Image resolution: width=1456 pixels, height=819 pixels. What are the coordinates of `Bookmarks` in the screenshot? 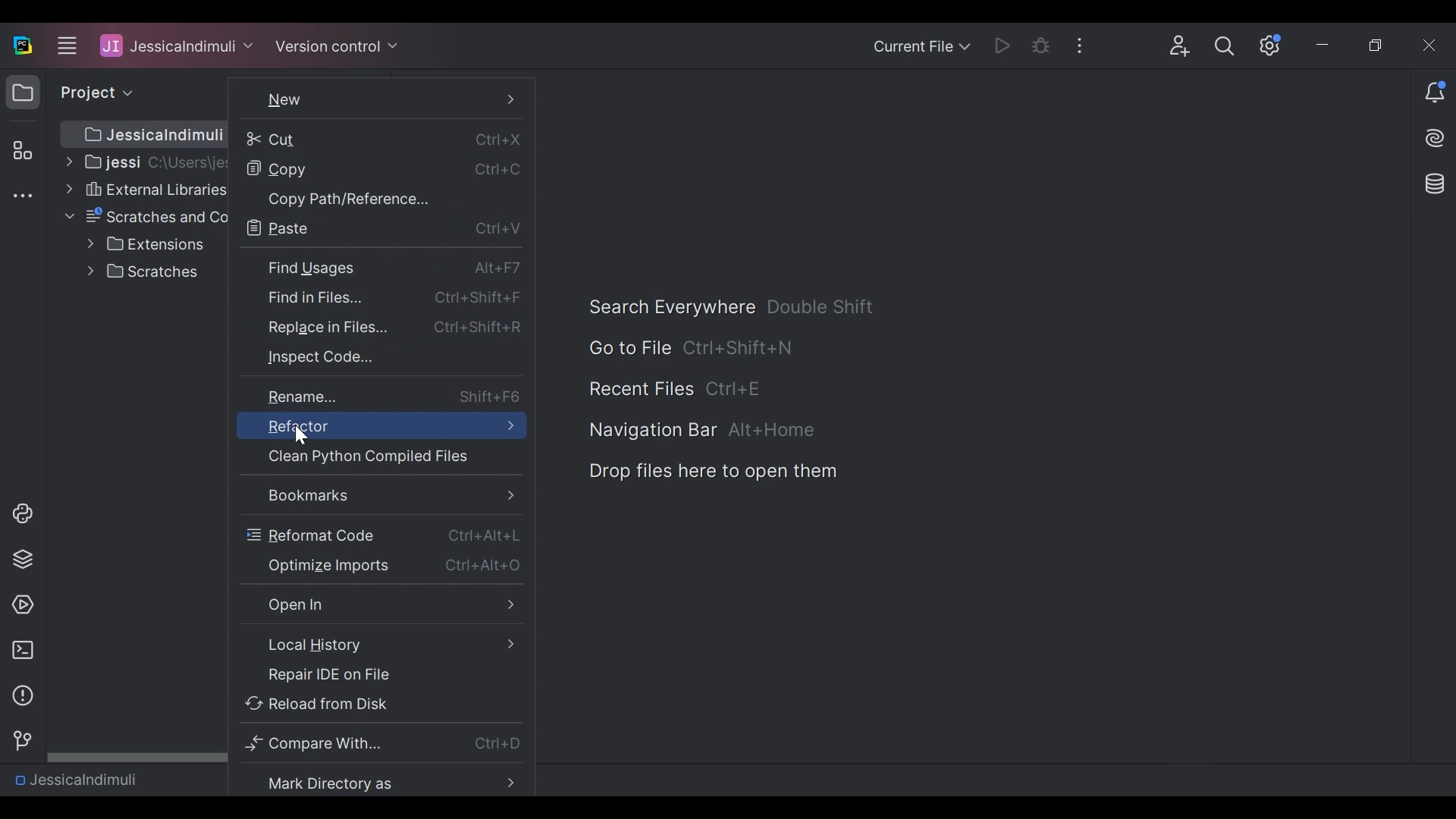 It's located at (384, 496).